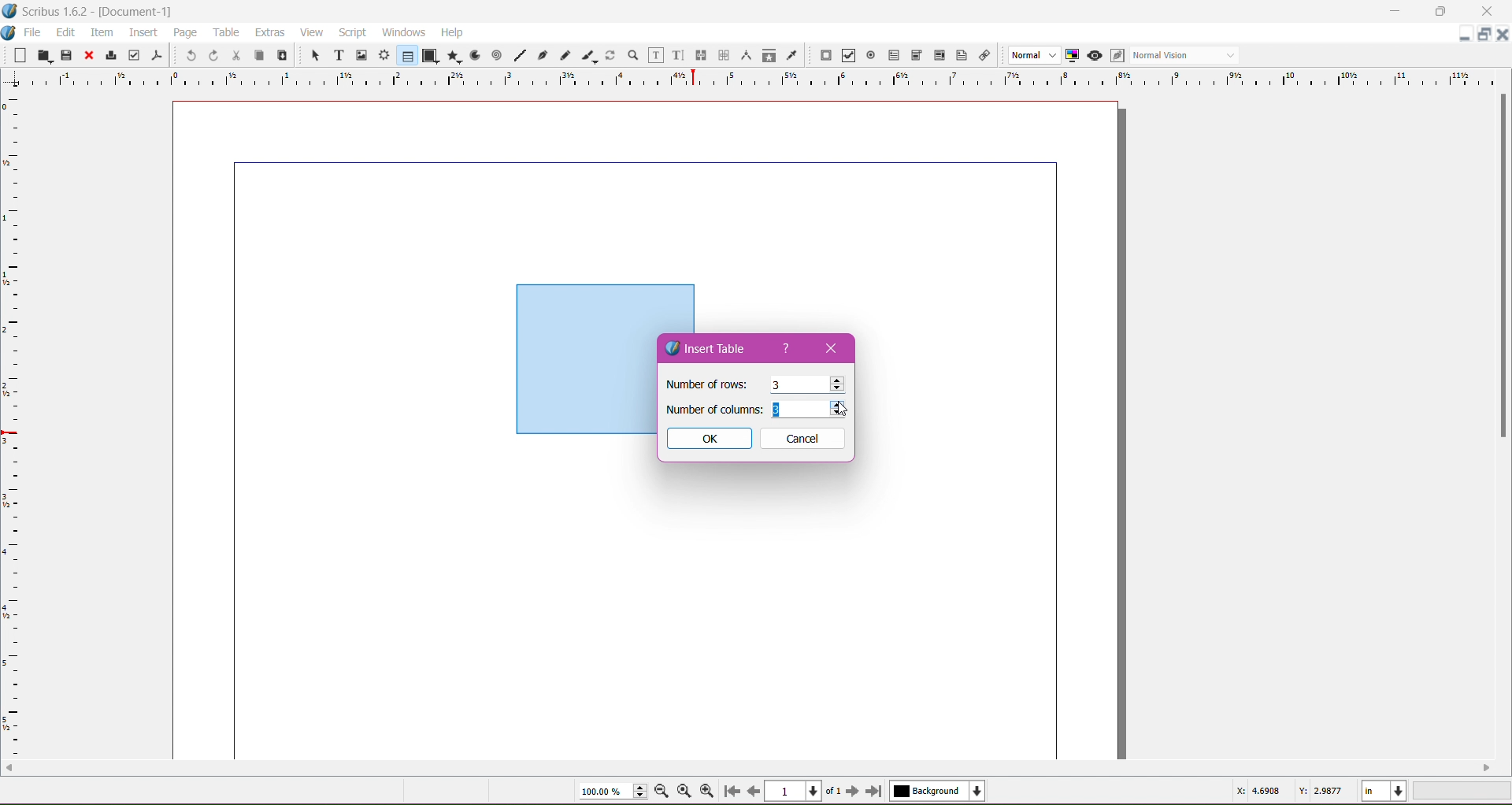 The height and width of the screenshot is (805, 1512). I want to click on Edit Text in Frames, so click(656, 55).